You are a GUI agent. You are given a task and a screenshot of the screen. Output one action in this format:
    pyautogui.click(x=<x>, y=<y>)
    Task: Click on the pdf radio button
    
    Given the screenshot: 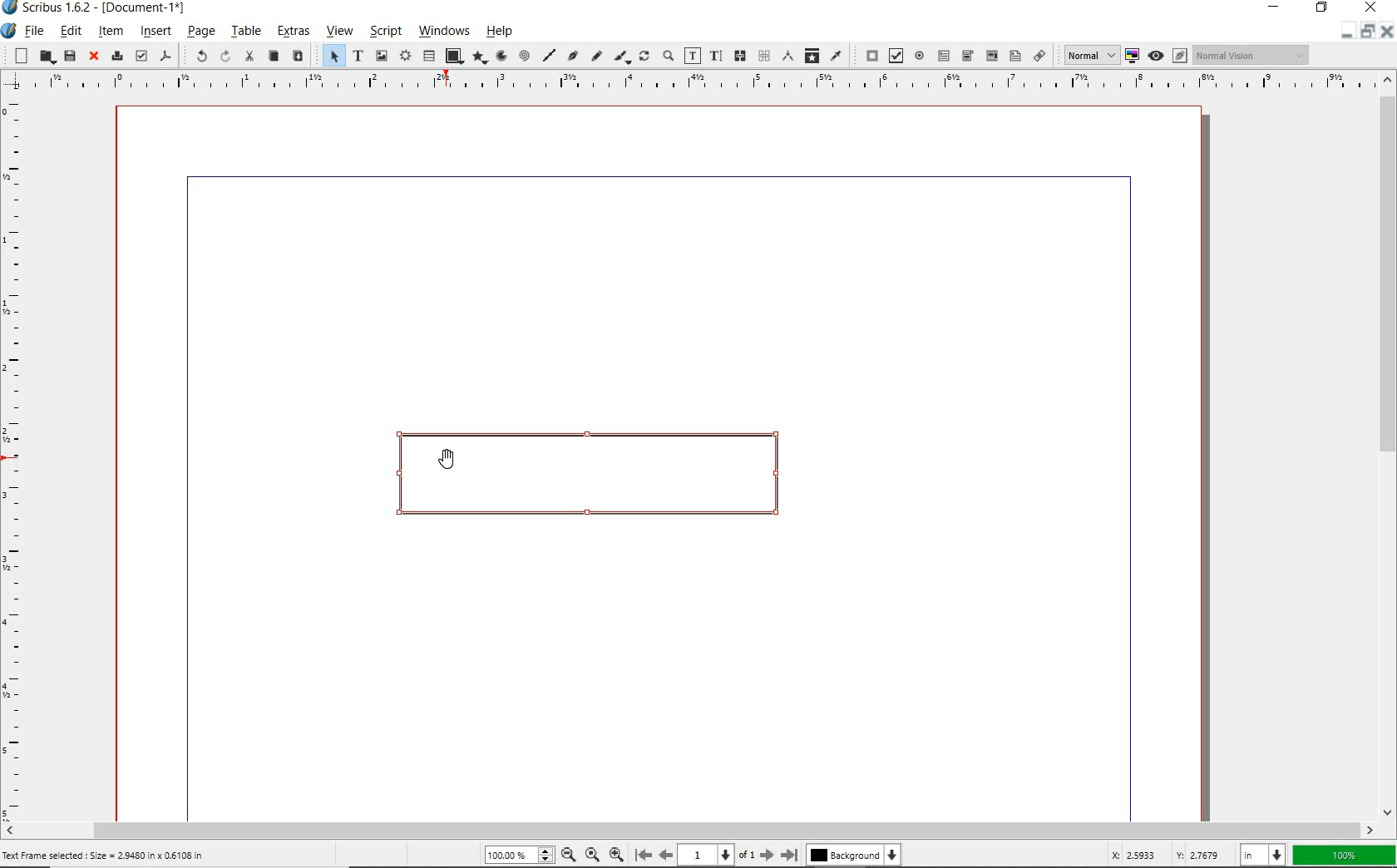 What is the action you would take?
    pyautogui.click(x=920, y=57)
    